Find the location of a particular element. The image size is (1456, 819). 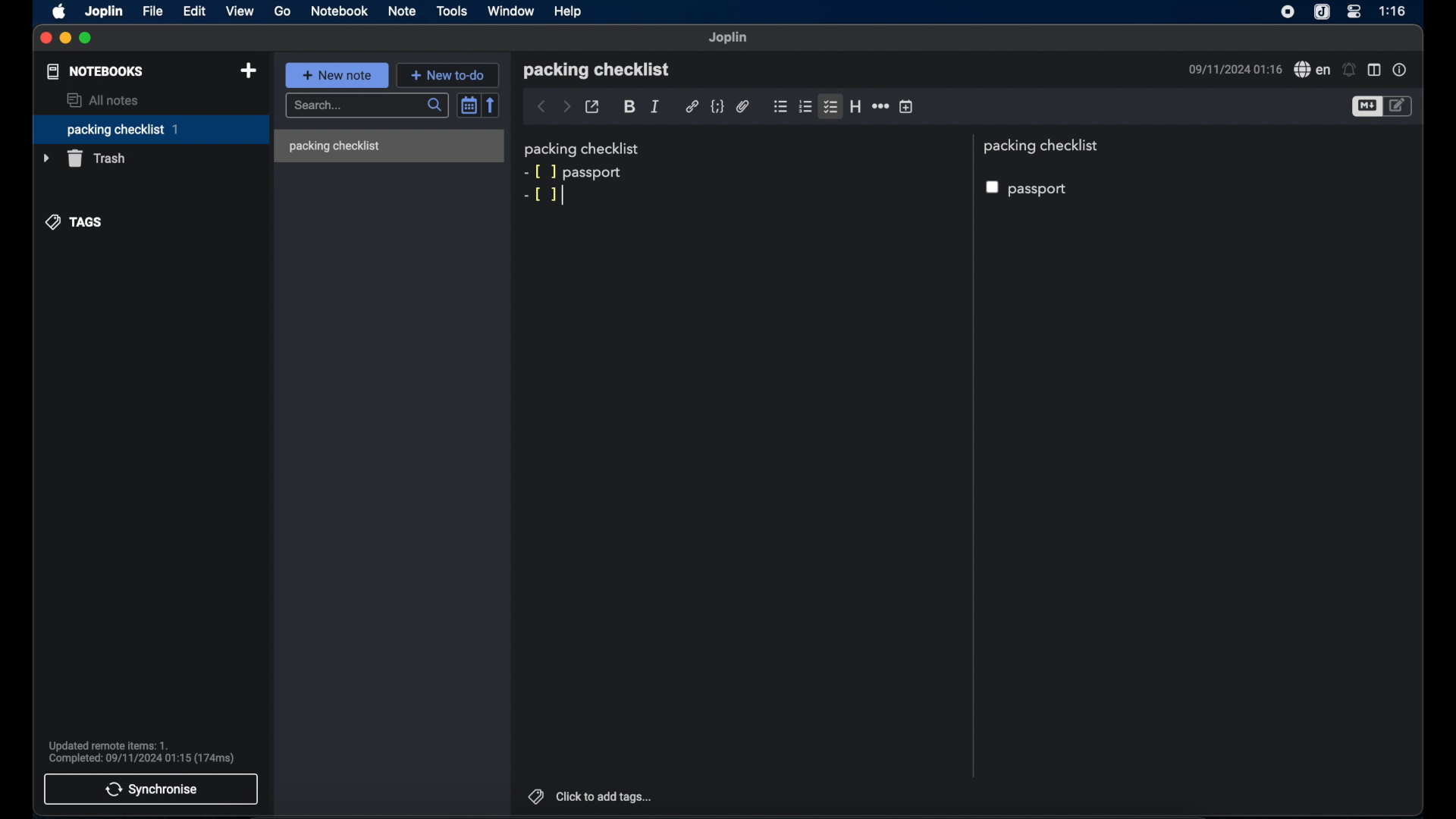

bold is located at coordinates (629, 107).